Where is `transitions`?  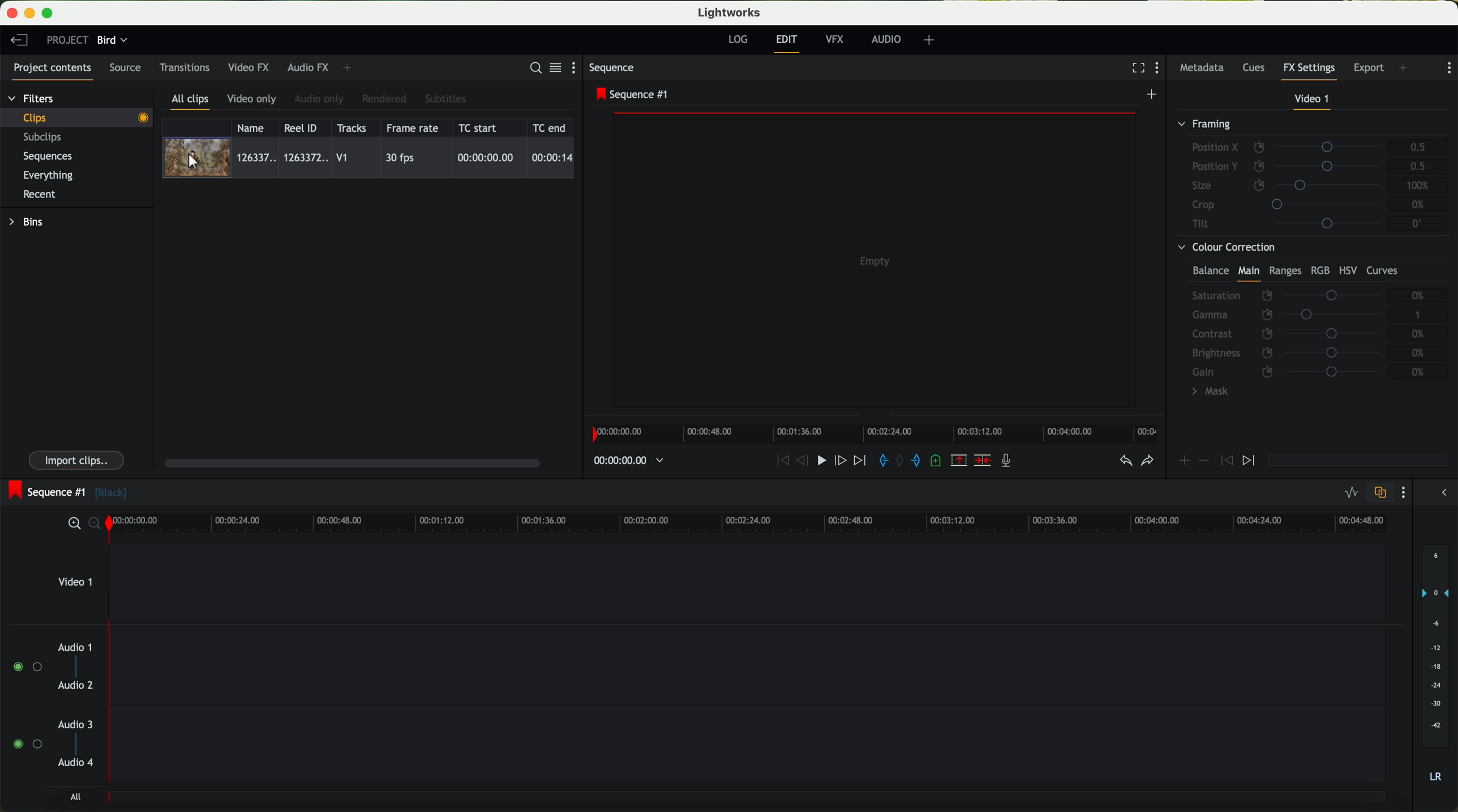
transitions is located at coordinates (184, 67).